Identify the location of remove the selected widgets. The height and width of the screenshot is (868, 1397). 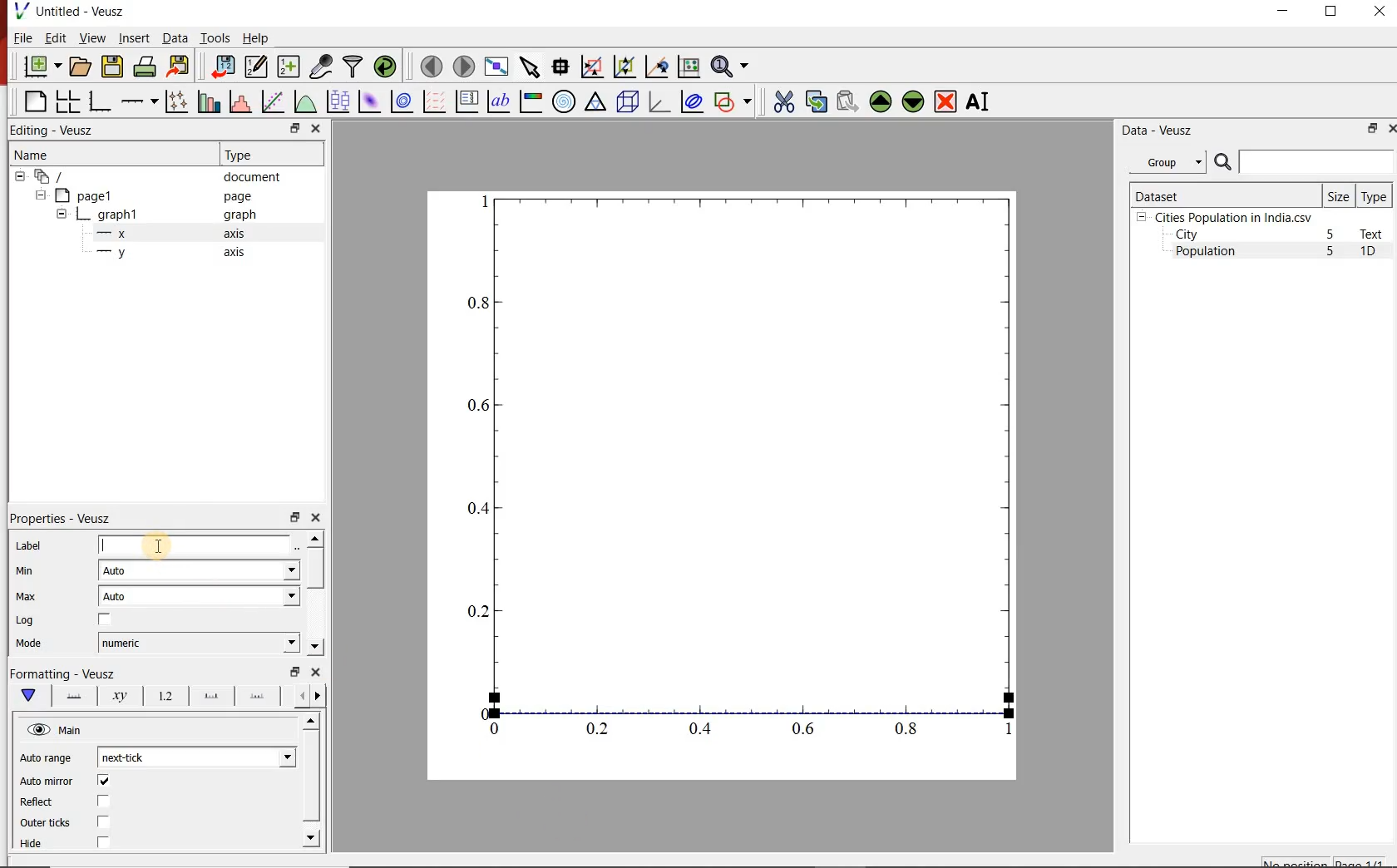
(947, 101).